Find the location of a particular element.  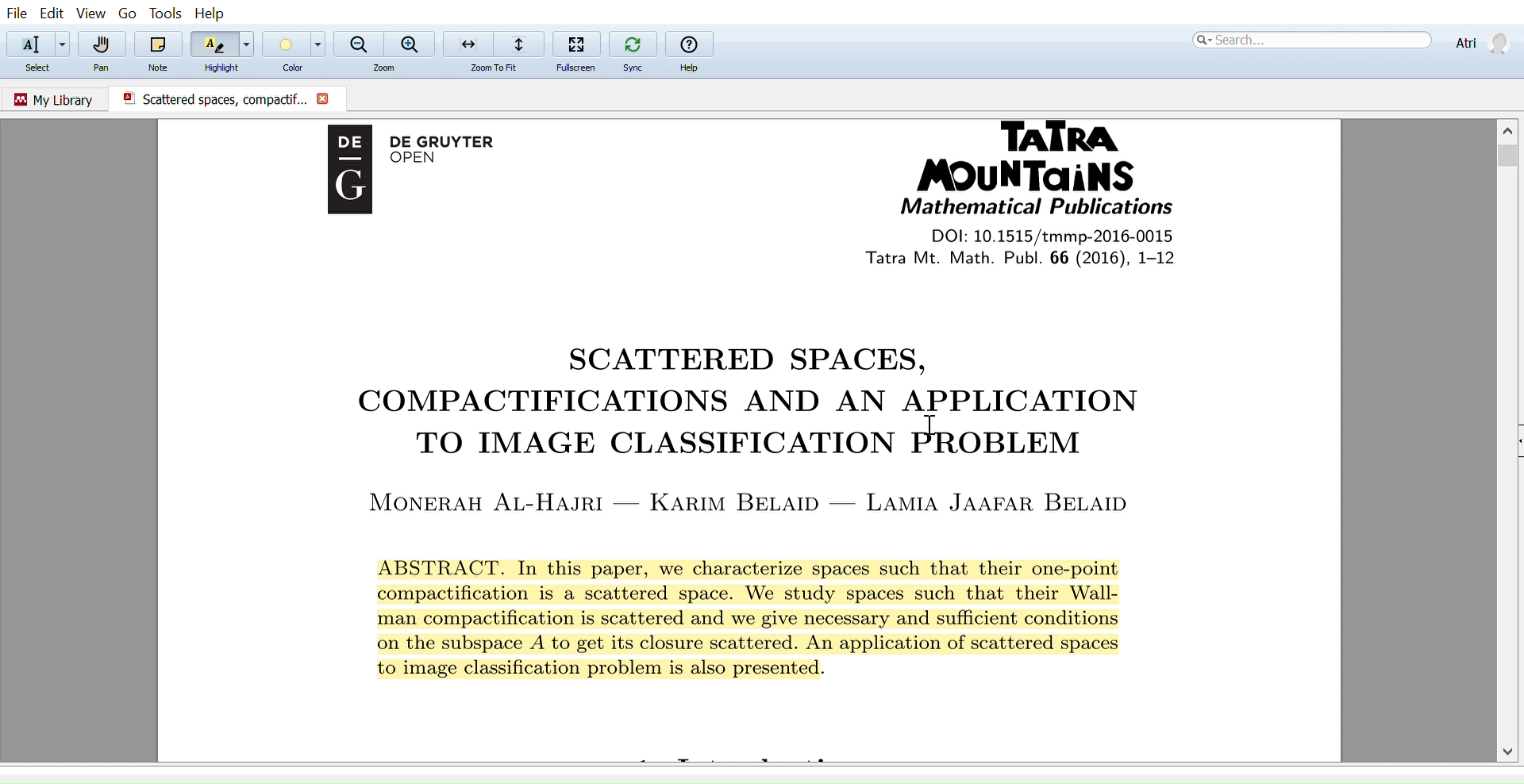

Sync is located at coordinates (633, 42).